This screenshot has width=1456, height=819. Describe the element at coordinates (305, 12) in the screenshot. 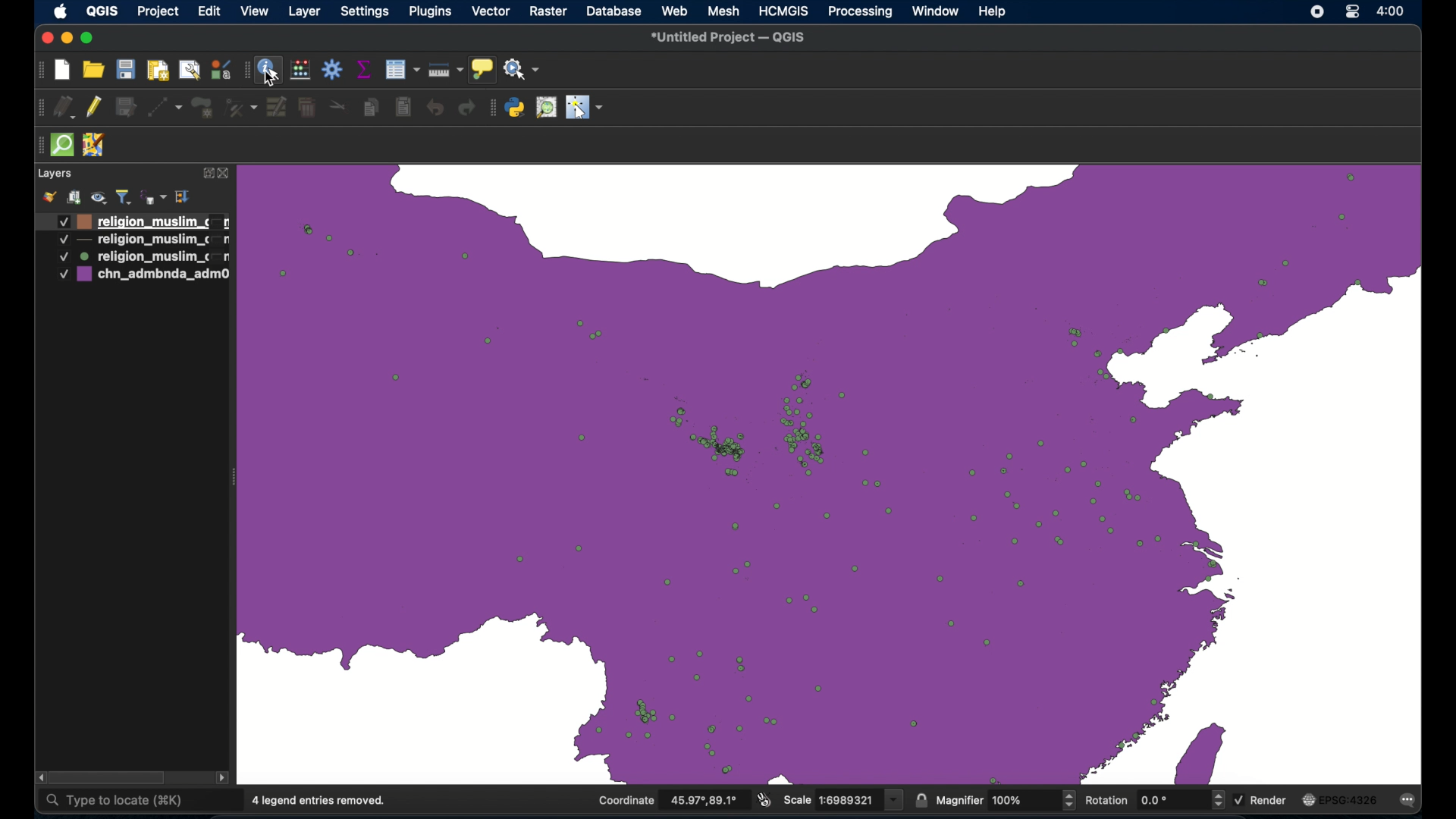

I see `layer` at that location.